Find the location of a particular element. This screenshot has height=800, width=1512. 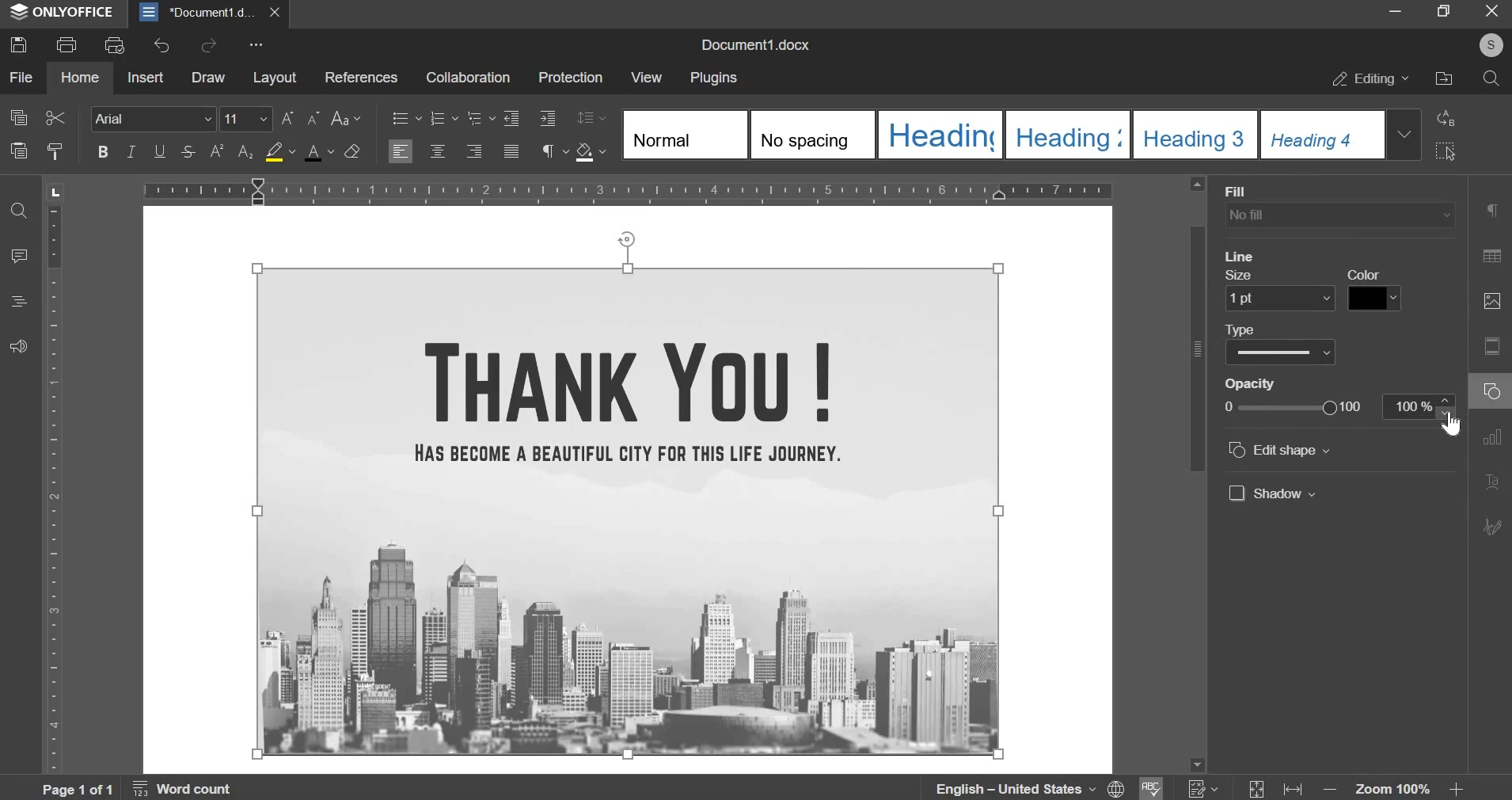

align left is located at coordinates (400, 150).